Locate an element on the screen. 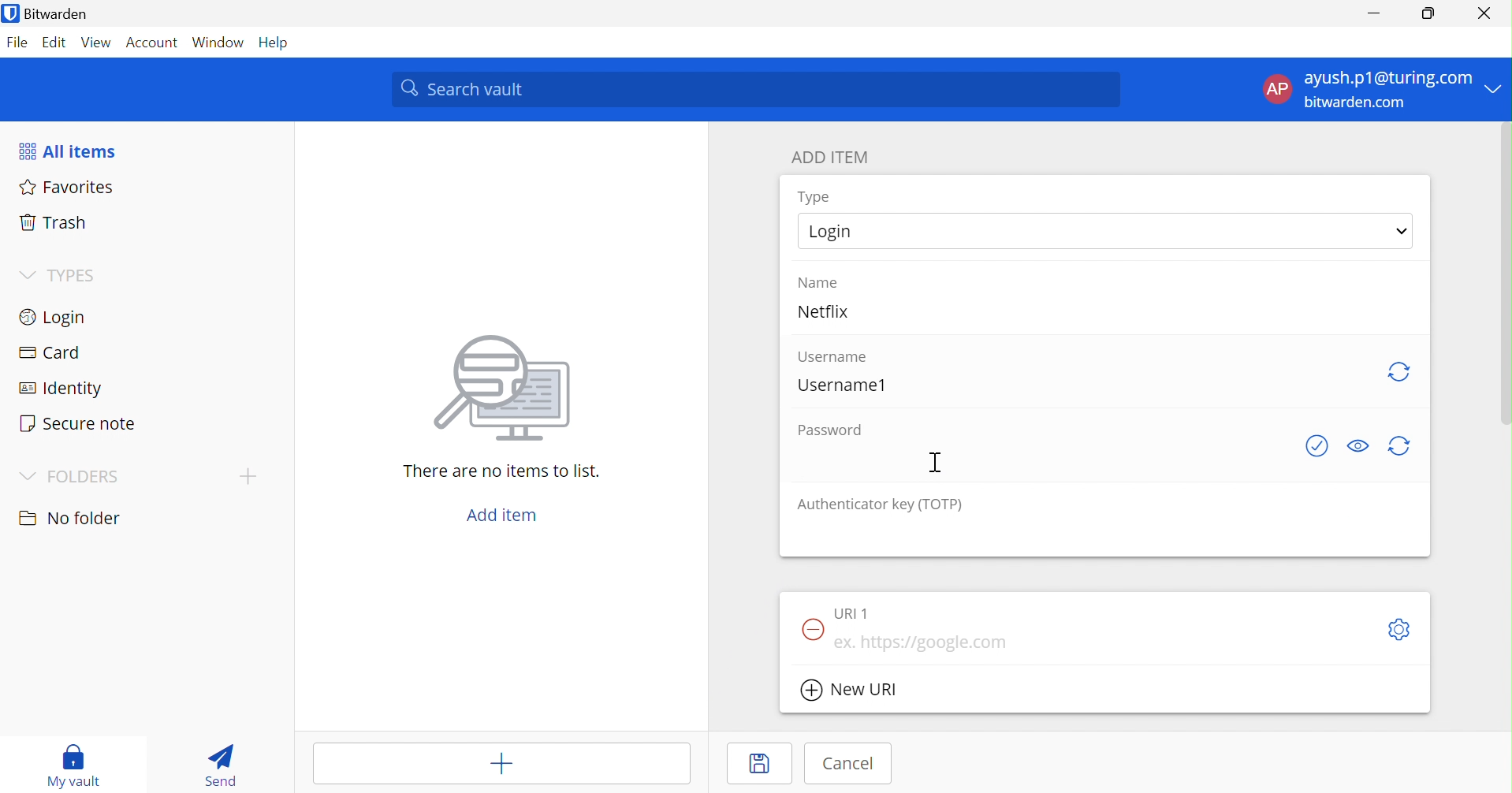 This screenshot has width=1512, height=793. Edit is located at coordinates (56, 43).